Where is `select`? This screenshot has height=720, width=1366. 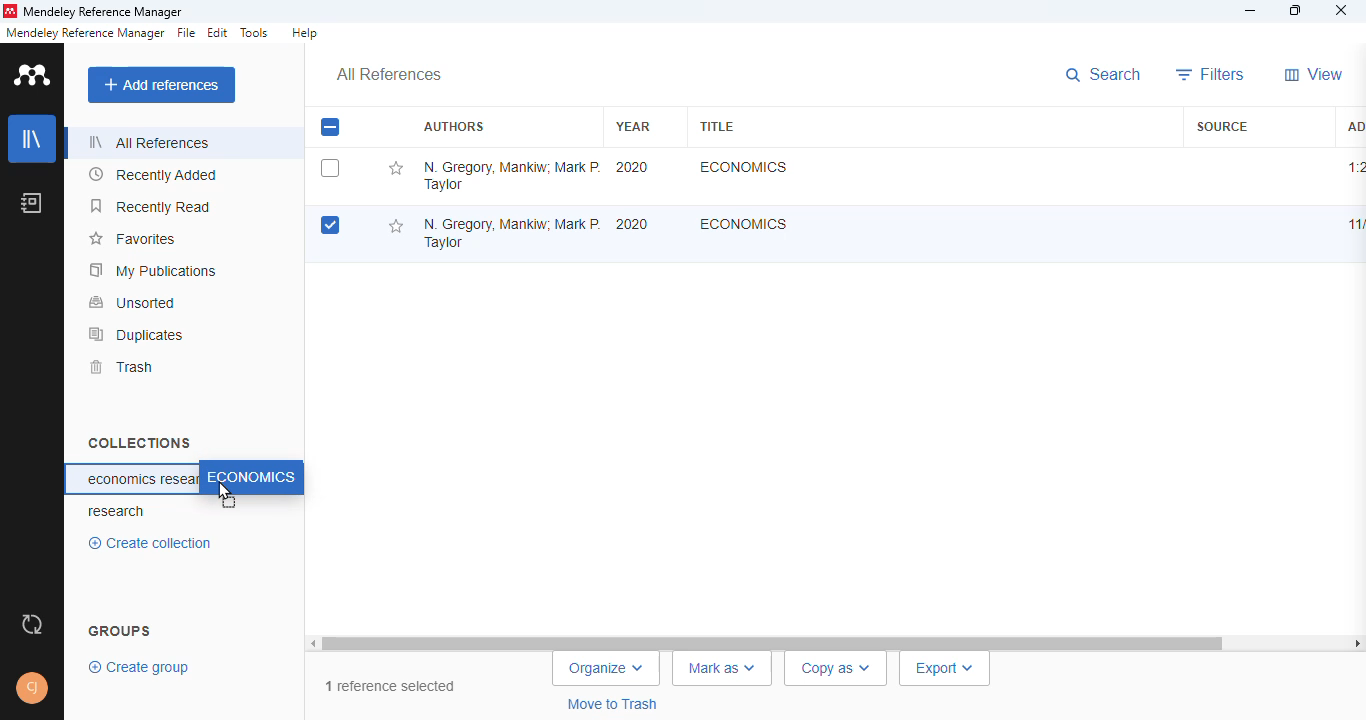 select is located at coordinates (330, 128).